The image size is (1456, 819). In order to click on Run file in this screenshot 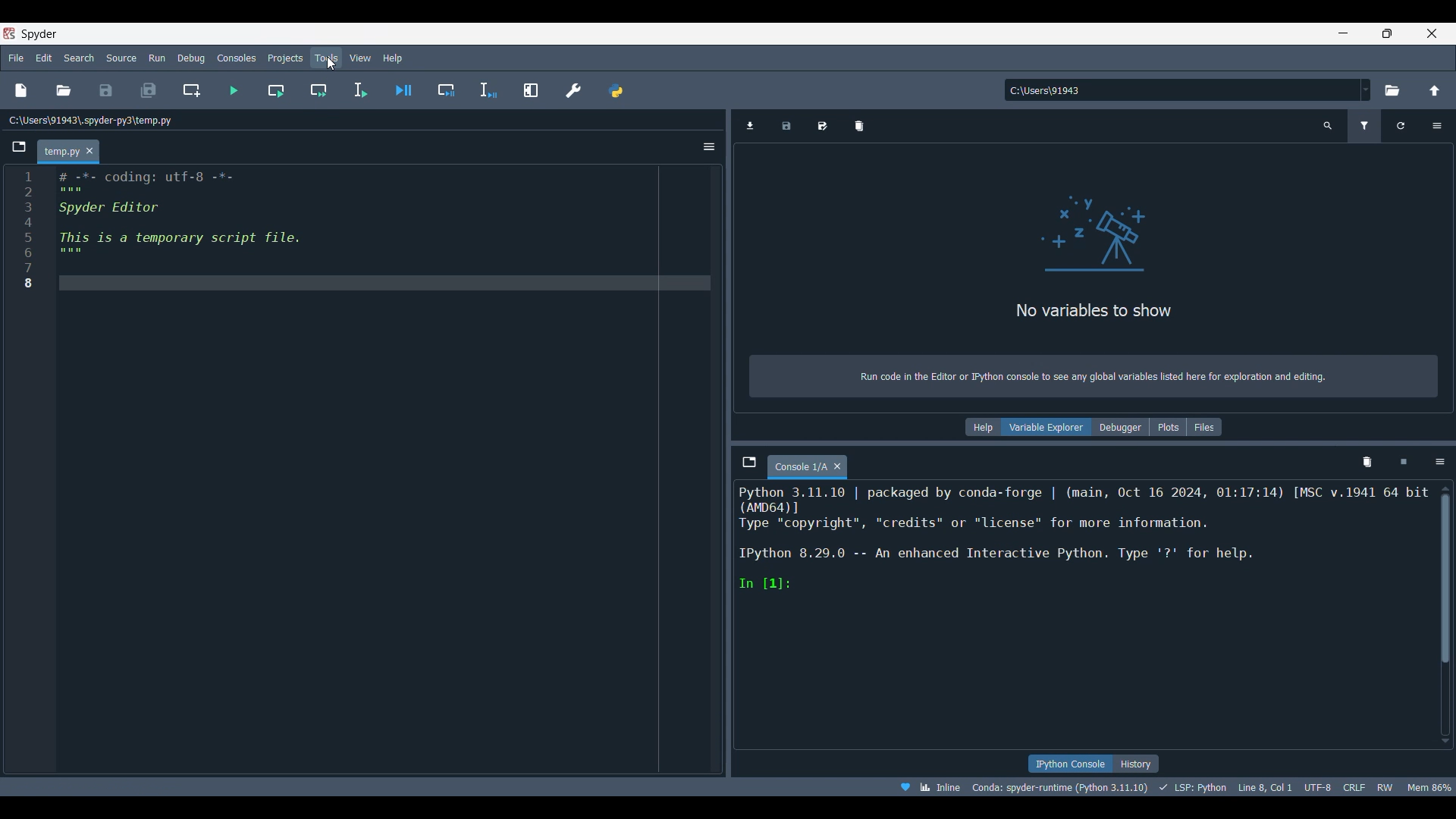, I will do `click(234, 90)`.